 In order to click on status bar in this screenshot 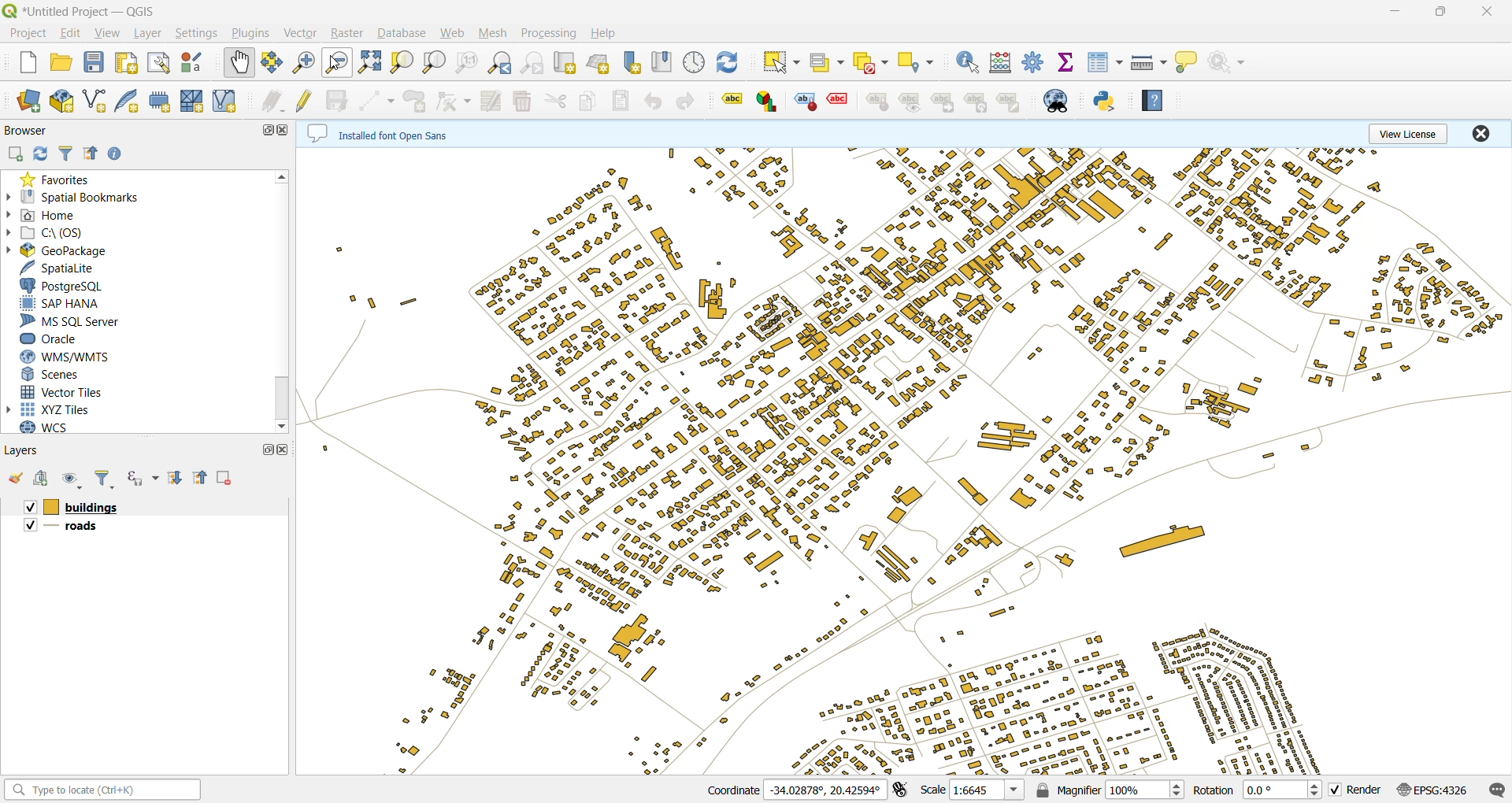, I will do `click(105, 791)`.